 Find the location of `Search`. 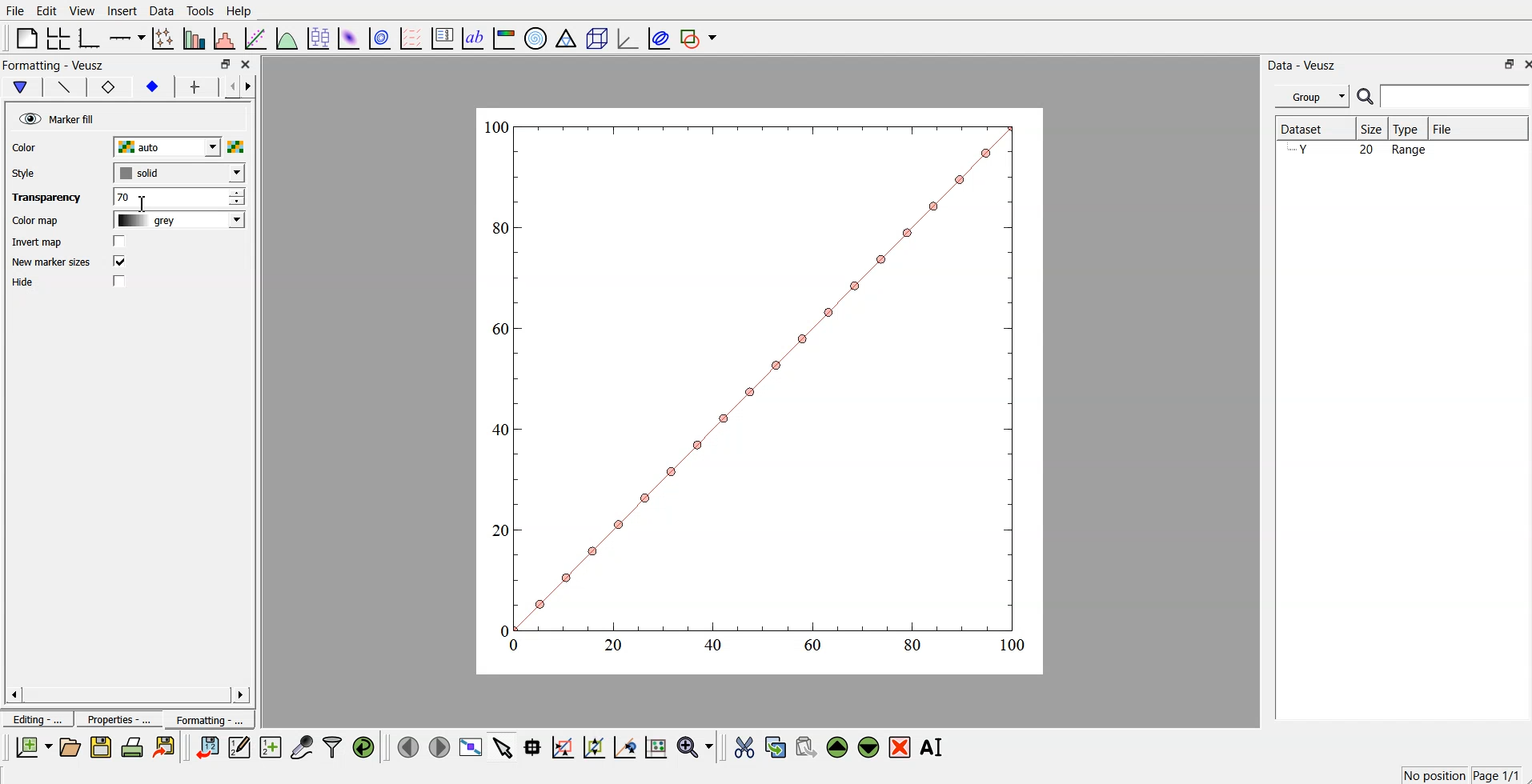

Search is located at coordinates (1444, 97).